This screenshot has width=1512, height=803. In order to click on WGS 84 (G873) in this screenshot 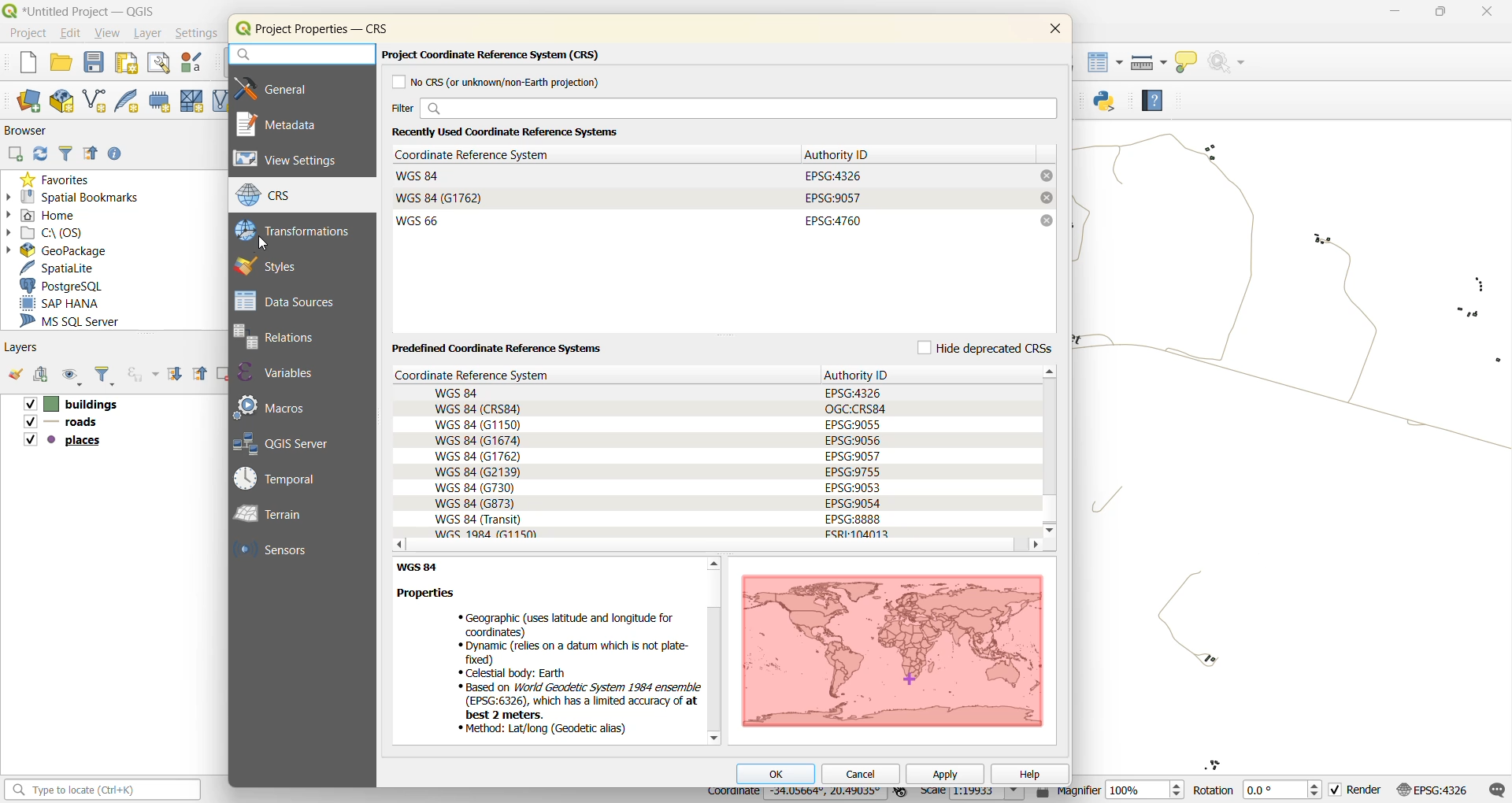, I will do `click(475, 504)`.